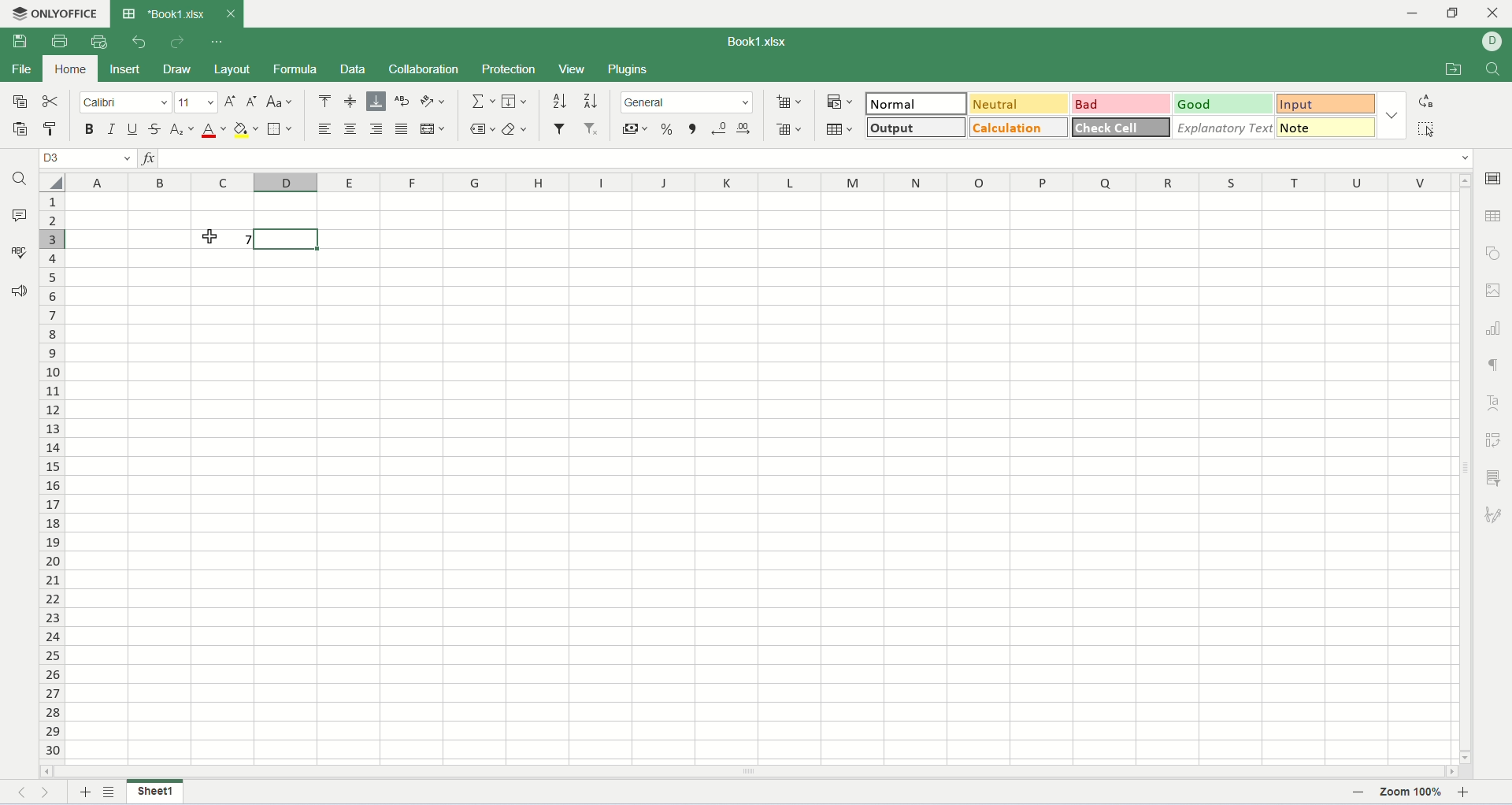  What do you see at coordinates (247, 128) in the screenshot?
I see `backgroun color` at bounding box center [247, 128].